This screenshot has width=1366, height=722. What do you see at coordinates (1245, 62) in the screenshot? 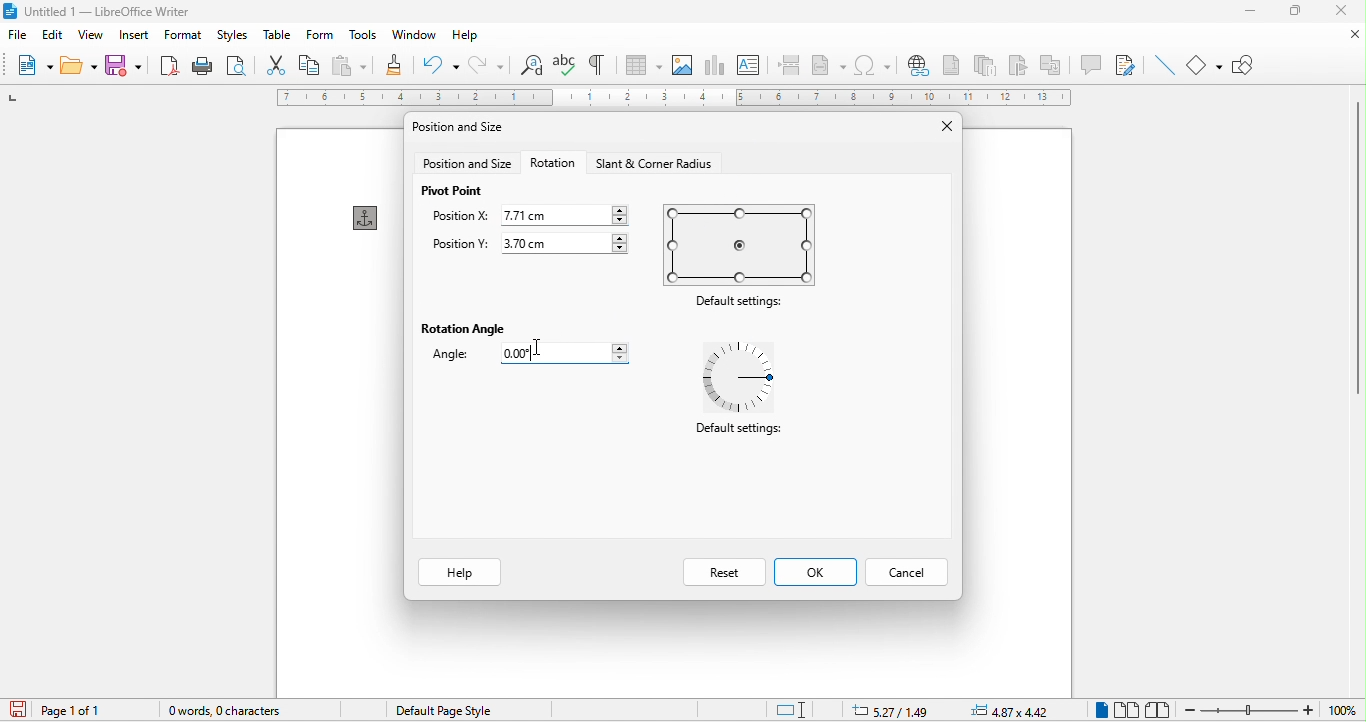
I see `show draw function` at bounding box center [1245, 62].